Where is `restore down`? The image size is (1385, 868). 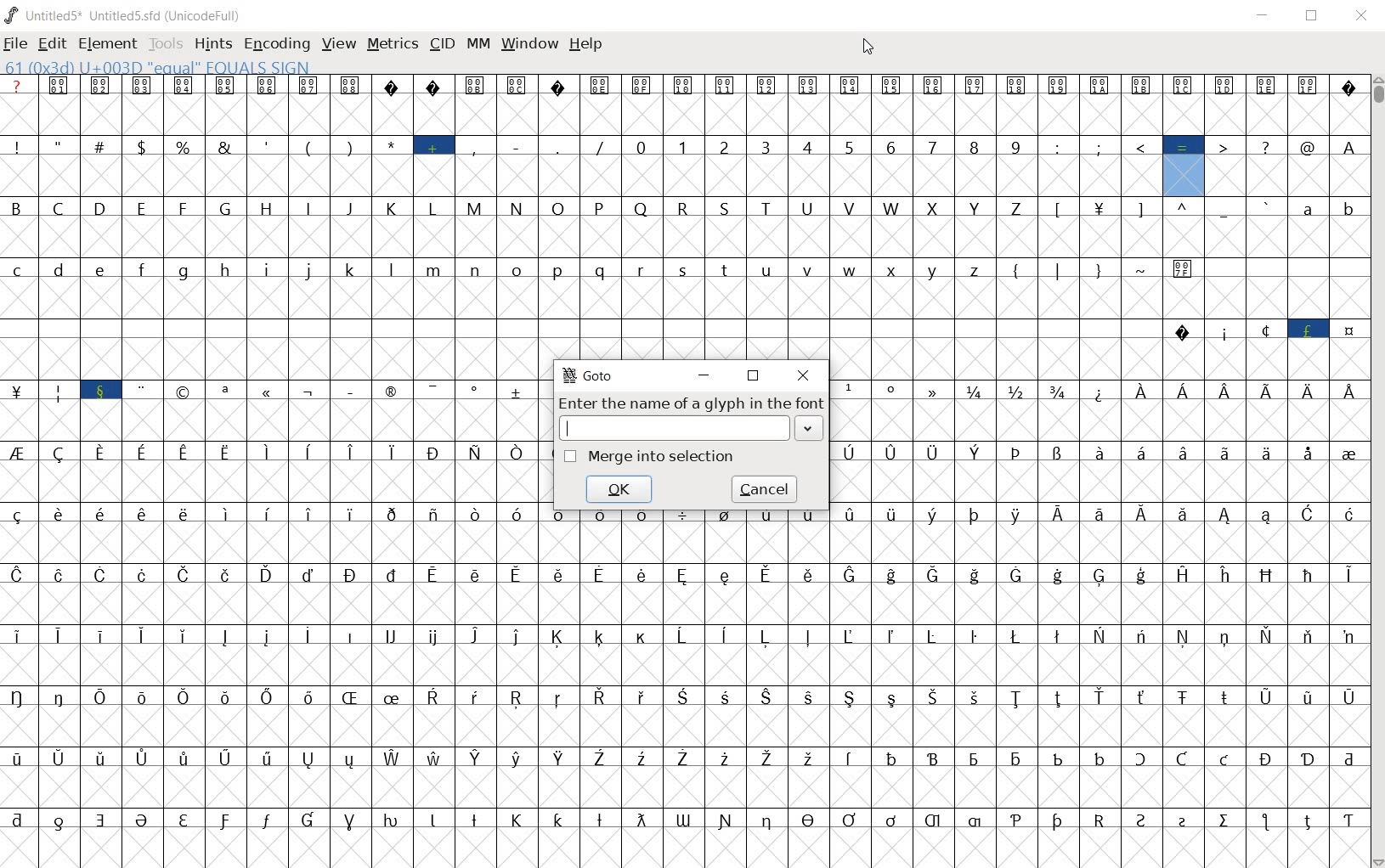 restore down is located at coordinates (755, 377).